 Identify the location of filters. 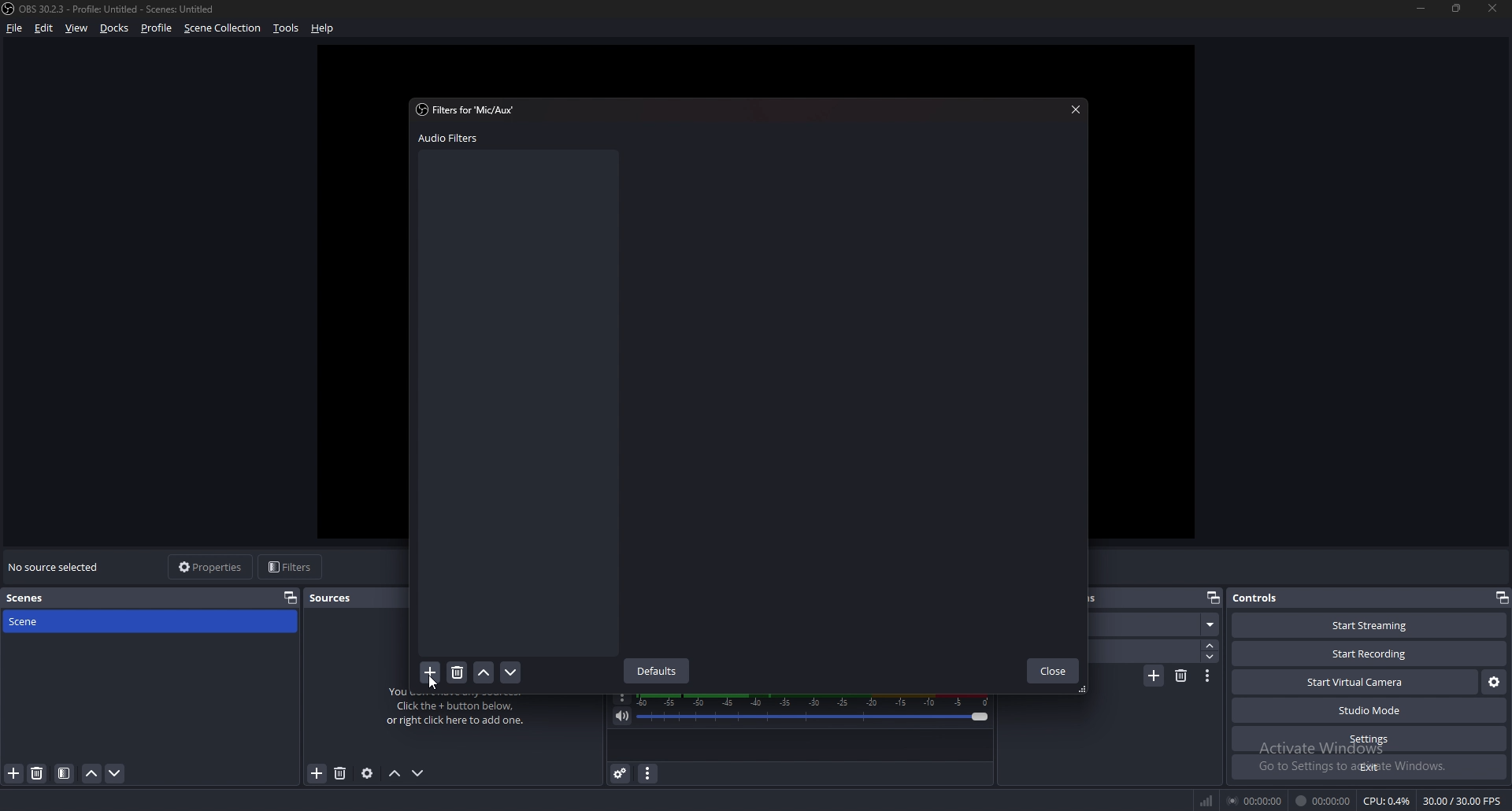
(292, 567).